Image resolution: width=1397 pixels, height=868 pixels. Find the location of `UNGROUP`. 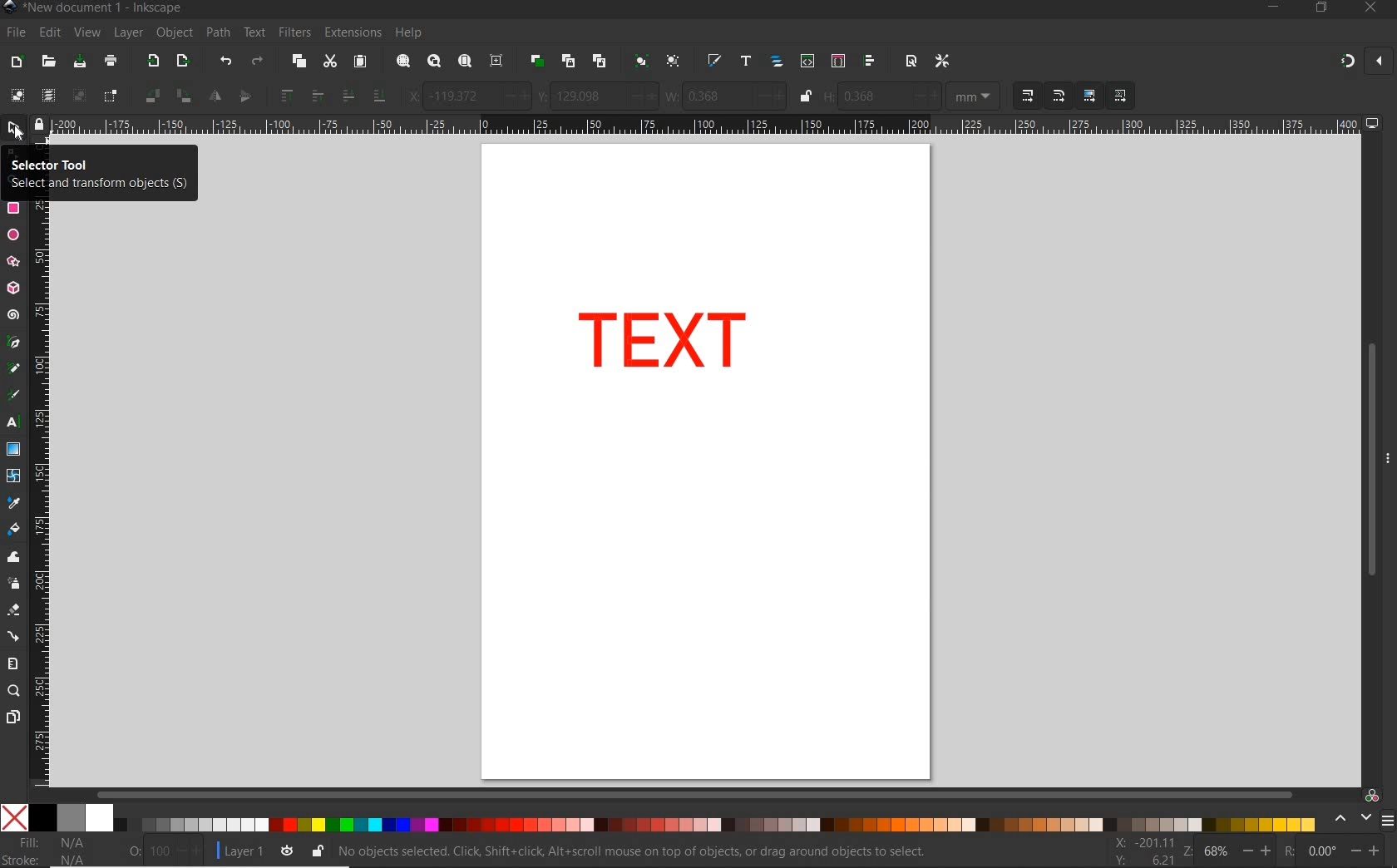

UNGROUP is located at coordinates (674, 62).